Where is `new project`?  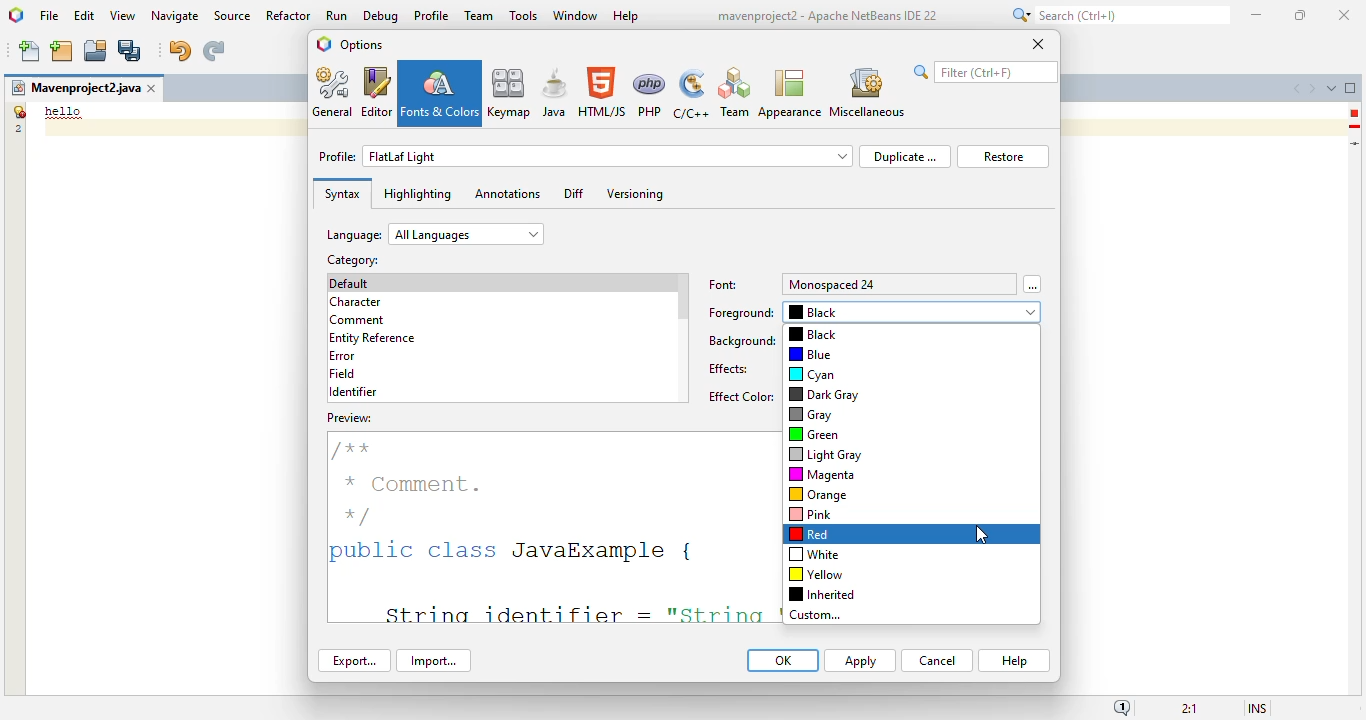
new project is located at coordinates (61, 51).